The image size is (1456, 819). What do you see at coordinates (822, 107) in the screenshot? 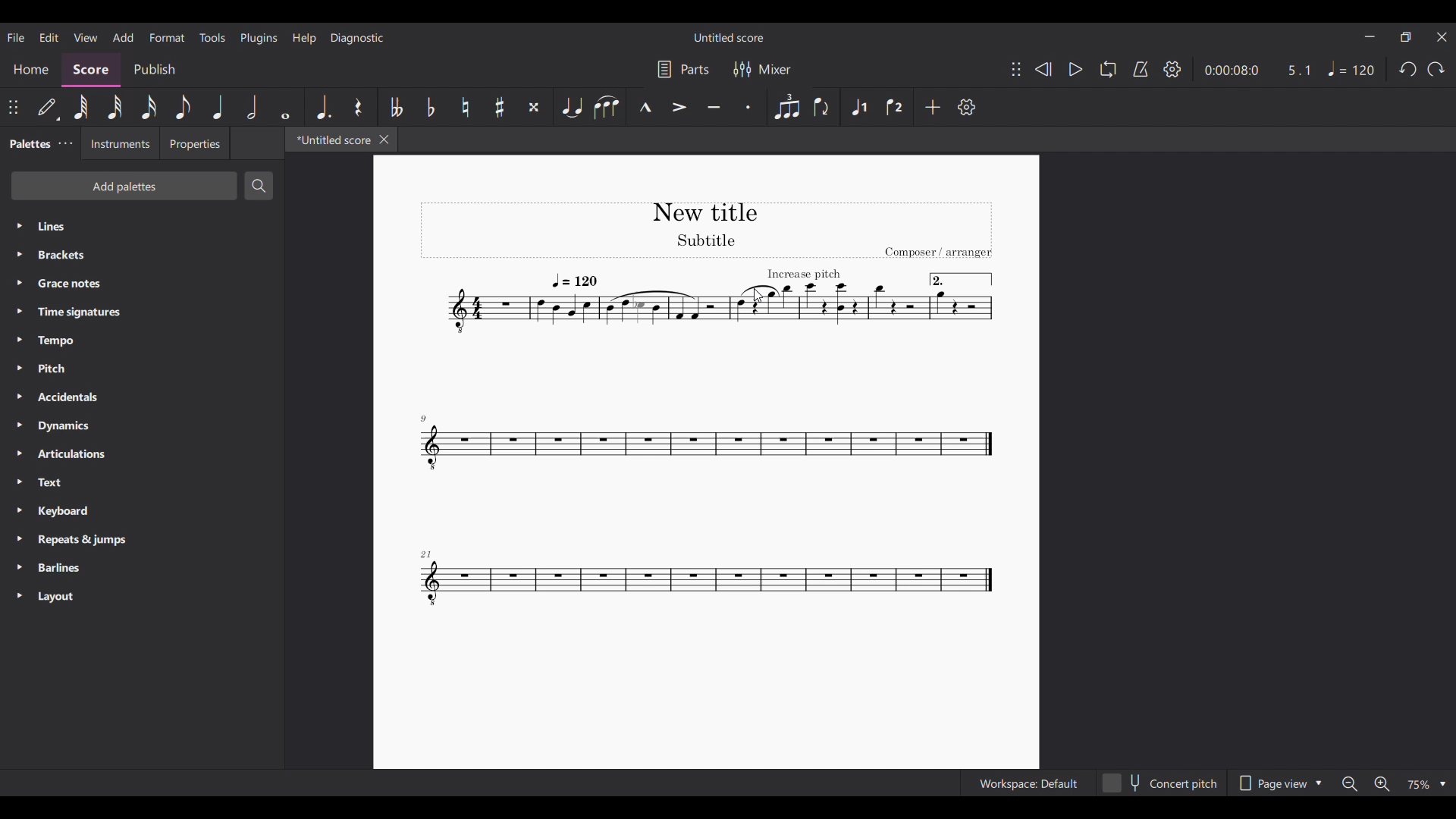
I see `Flip direction` at bounding box center [822, 107].